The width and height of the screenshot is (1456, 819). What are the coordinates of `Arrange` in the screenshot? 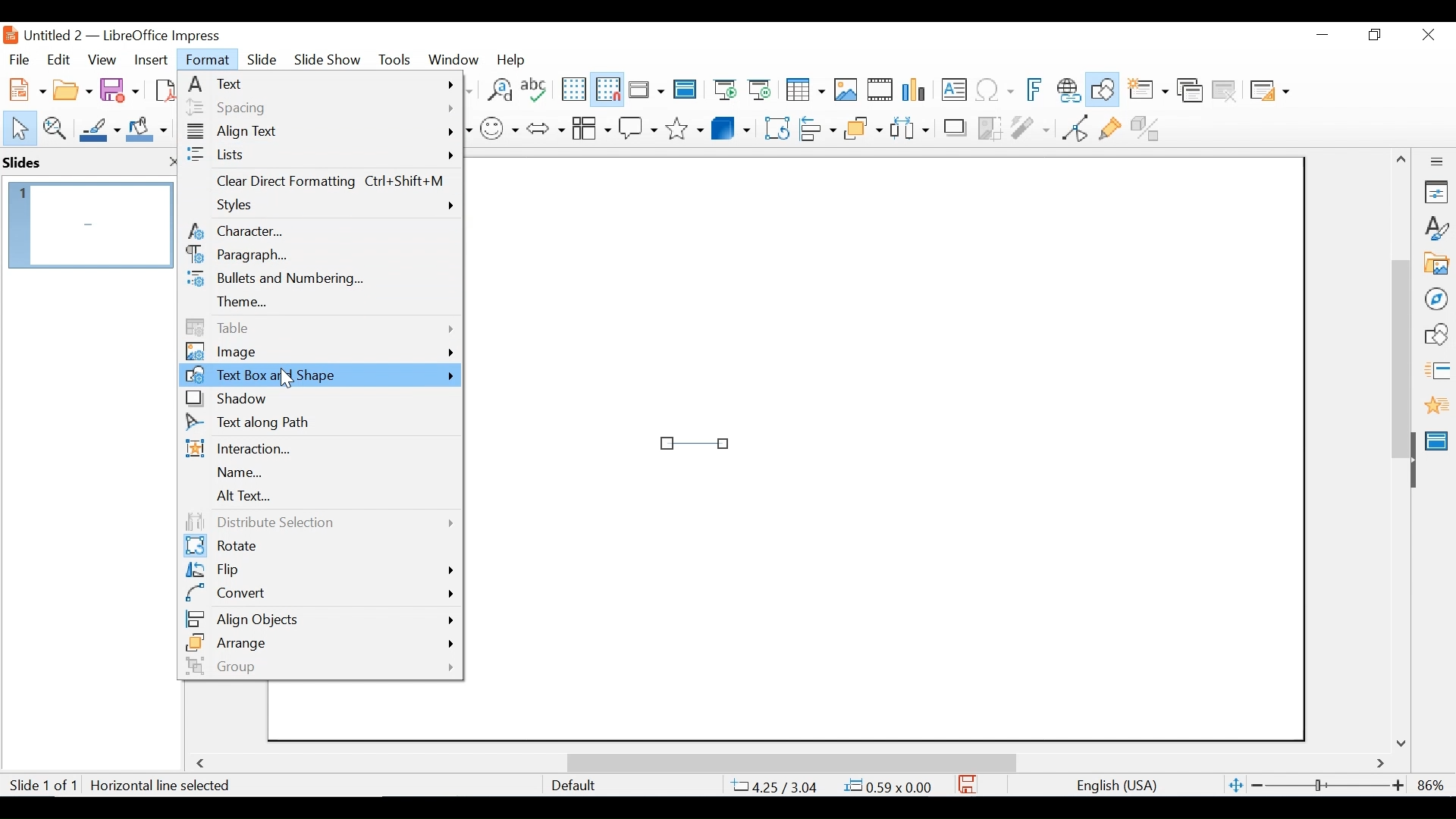 It's located at (319, 642).